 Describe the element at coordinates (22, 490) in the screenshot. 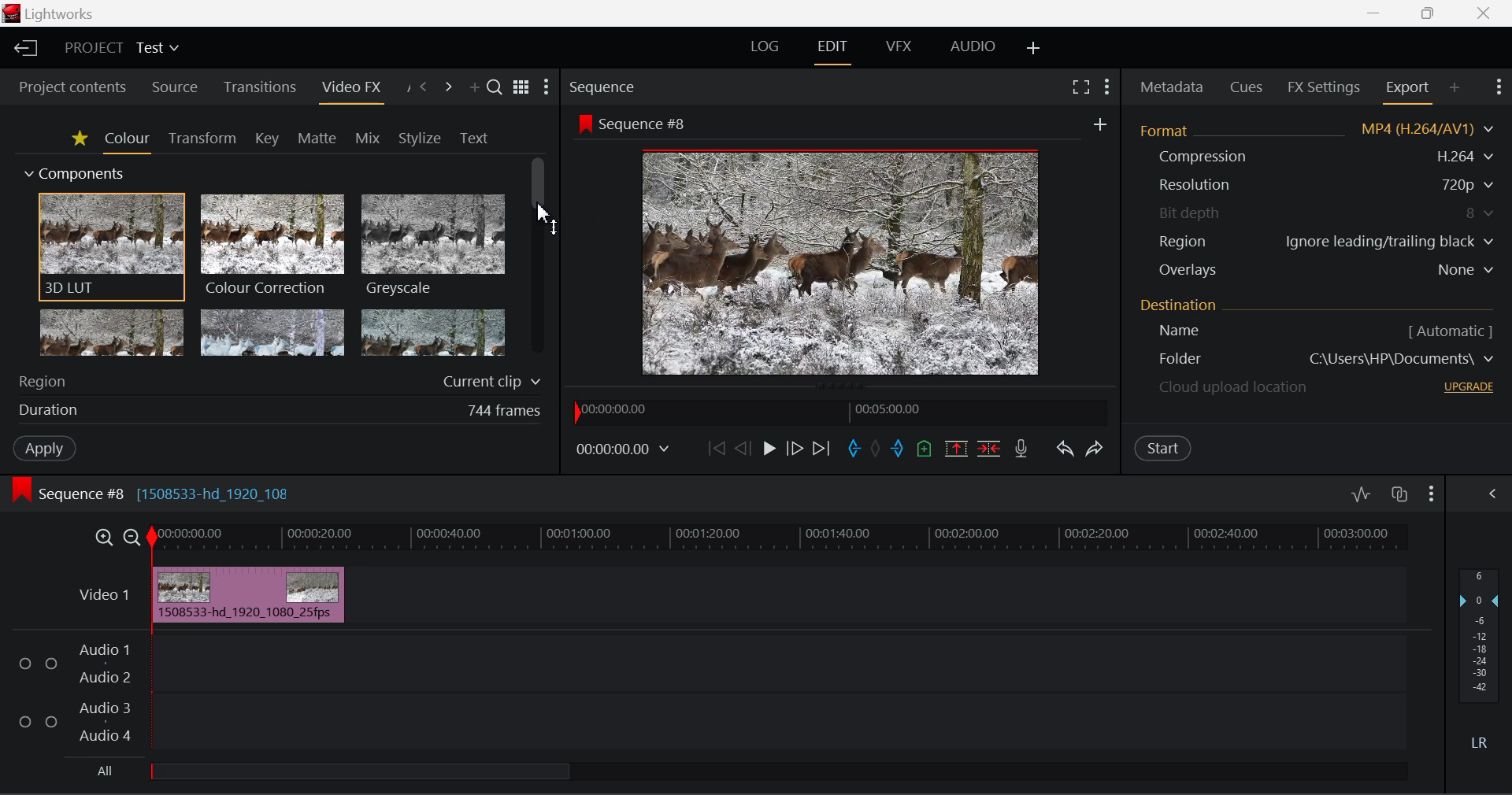

I see `icon` at that location.